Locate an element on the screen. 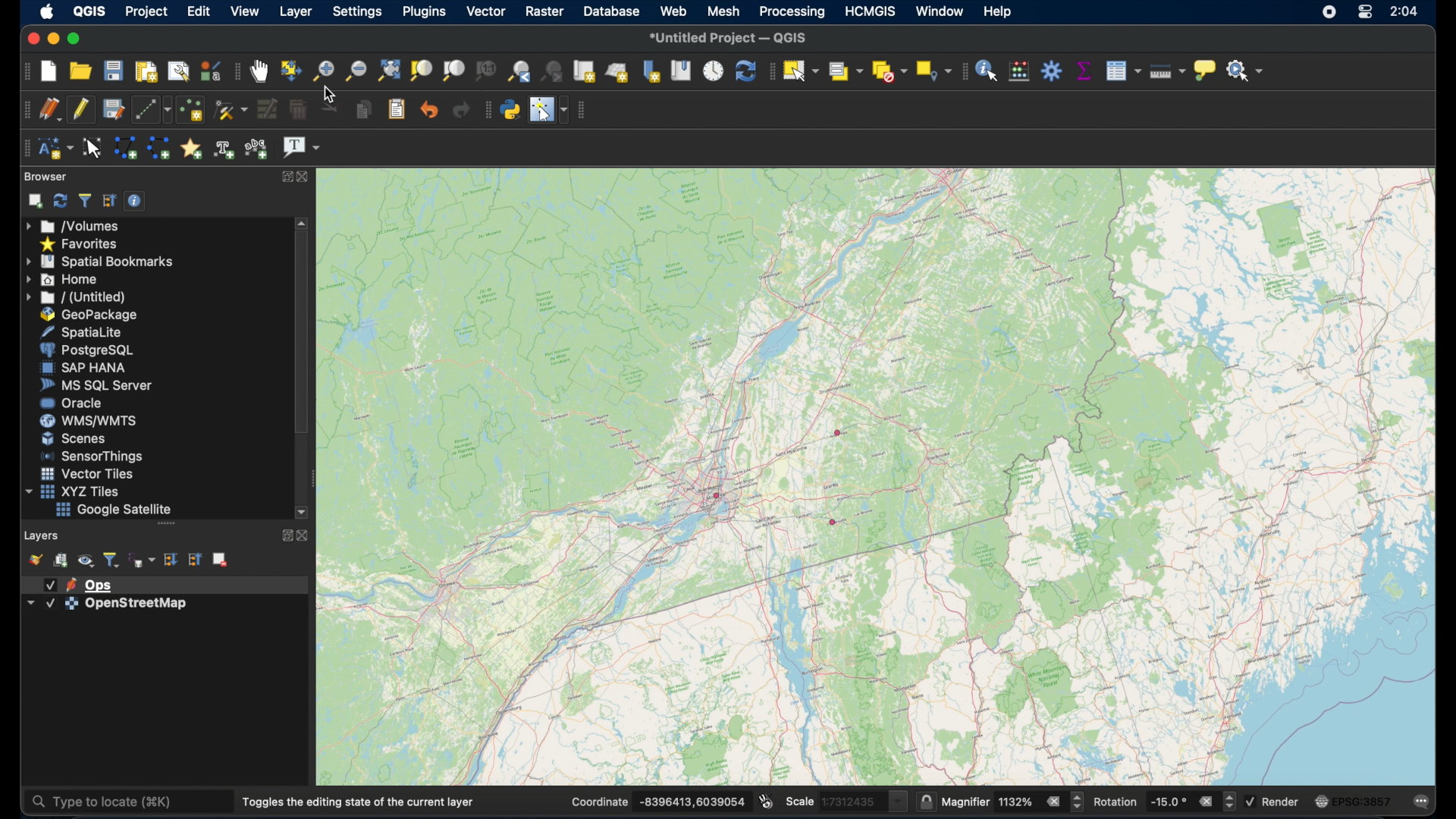  raster is located at coordinates (545, 11).